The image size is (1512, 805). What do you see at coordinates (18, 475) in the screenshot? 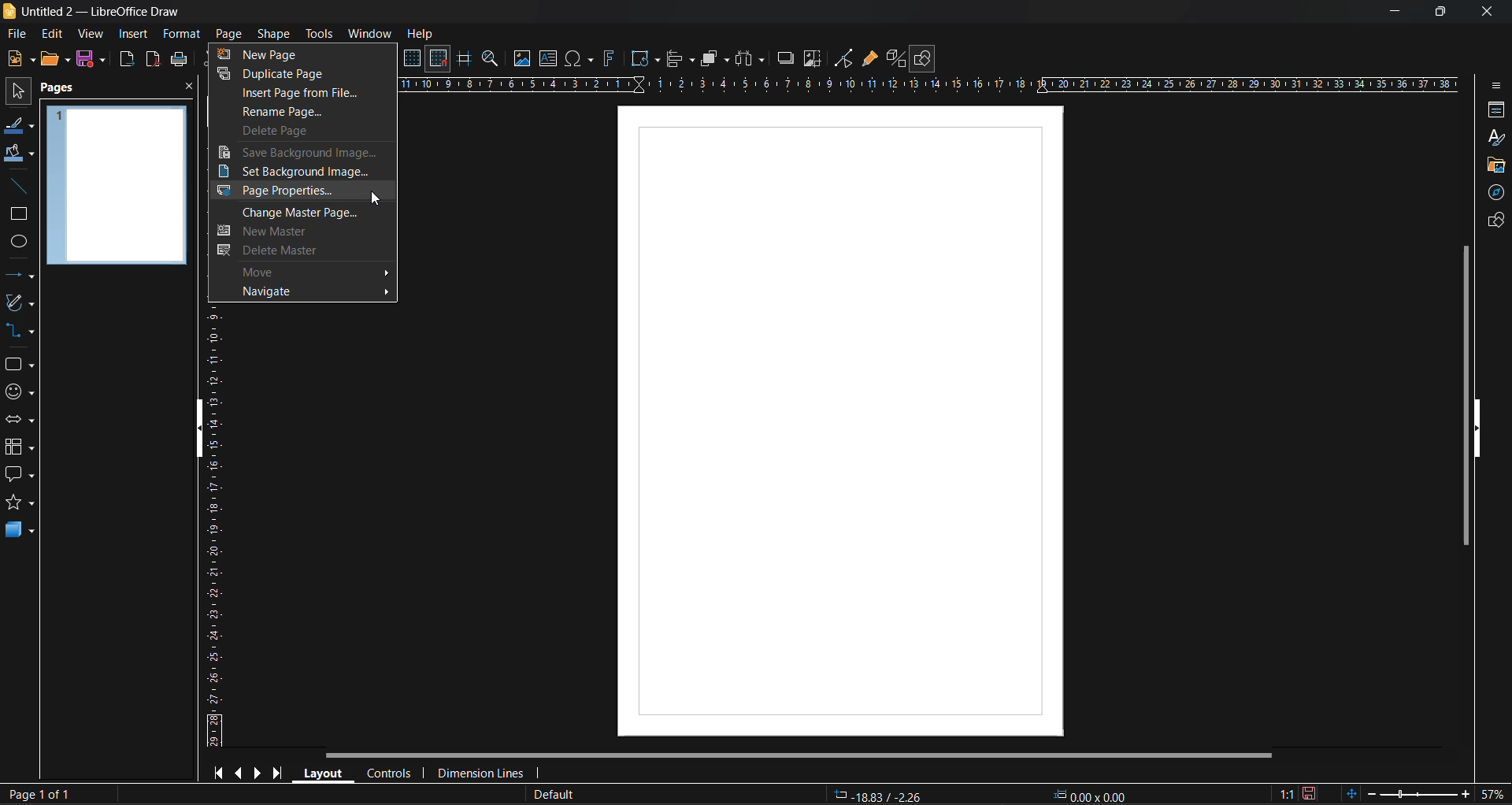
I see `callout shapes` at bounding box center [18, 475].